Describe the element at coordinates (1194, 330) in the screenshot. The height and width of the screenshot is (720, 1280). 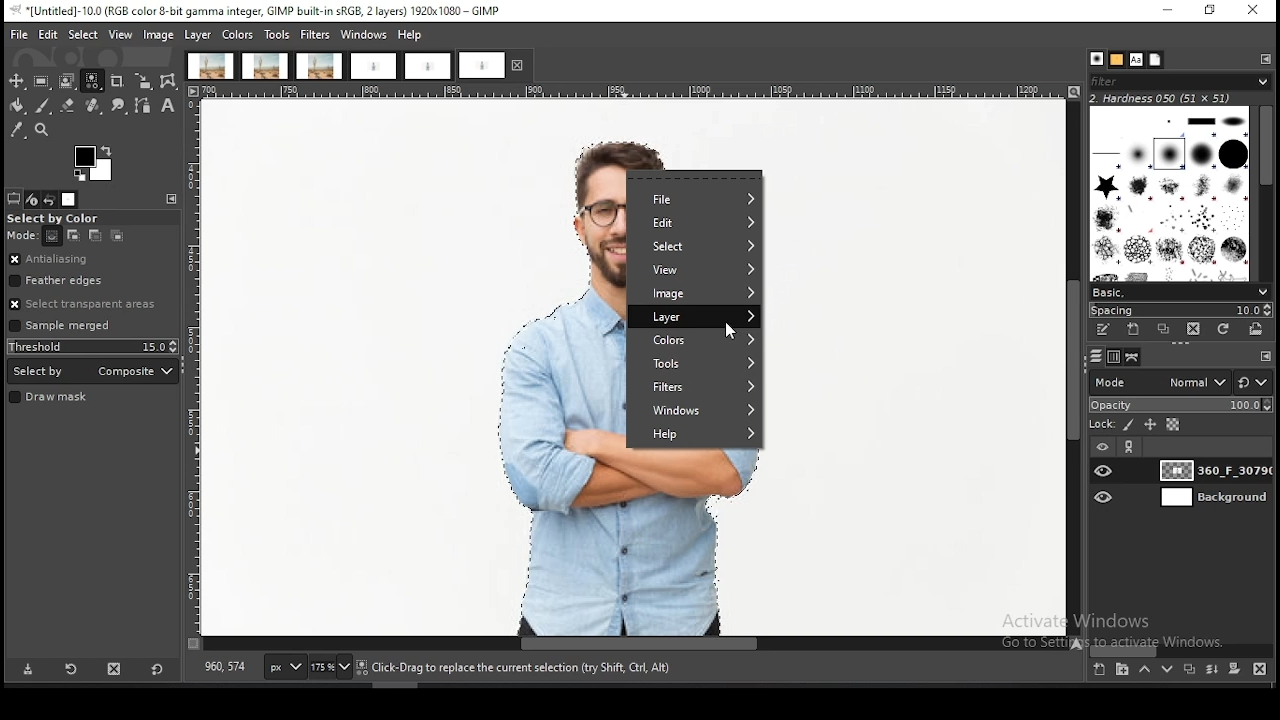
I see `delete brush` at that location.